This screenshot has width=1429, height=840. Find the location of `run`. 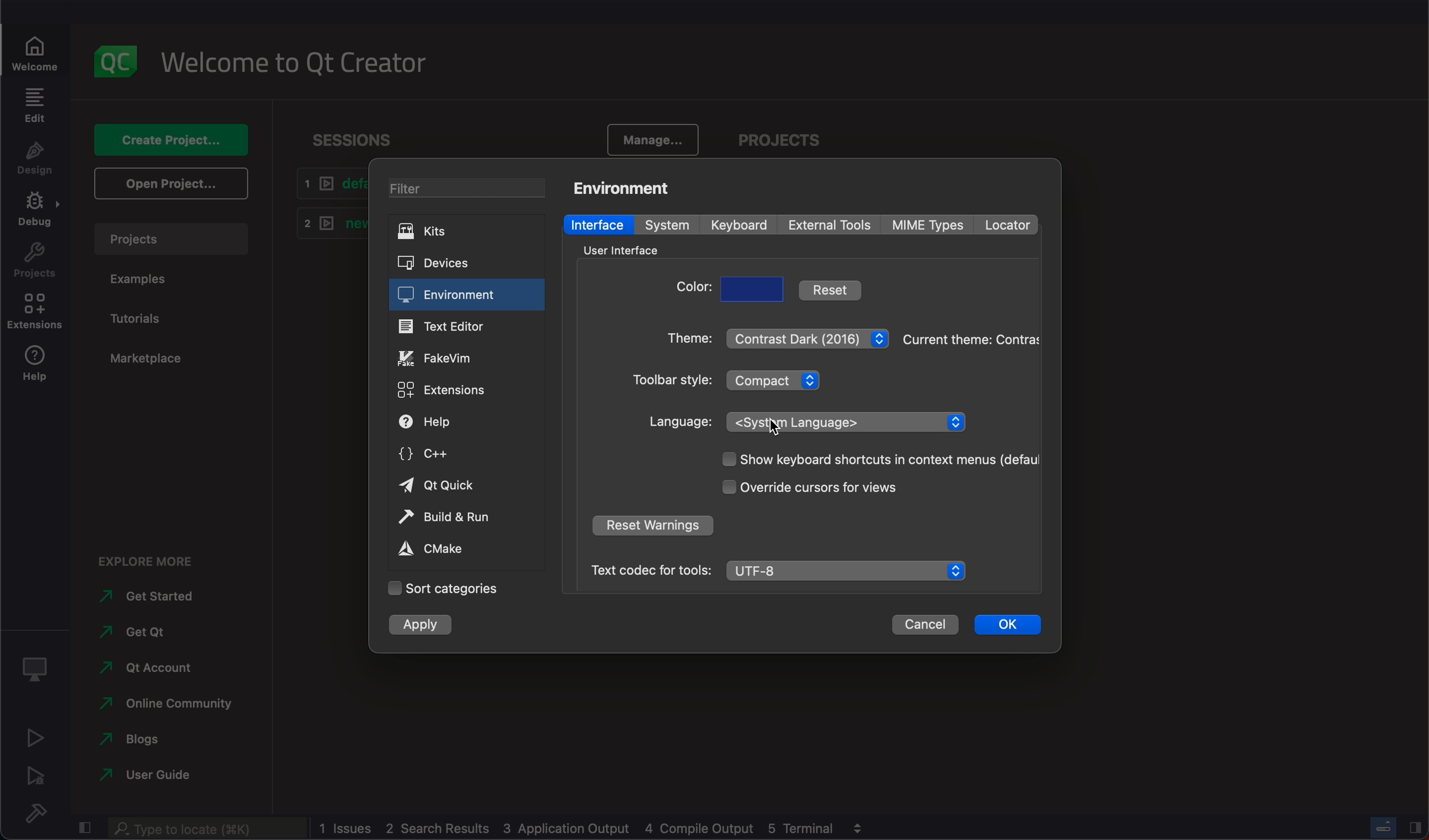

run is located at coordinates (34, 737).